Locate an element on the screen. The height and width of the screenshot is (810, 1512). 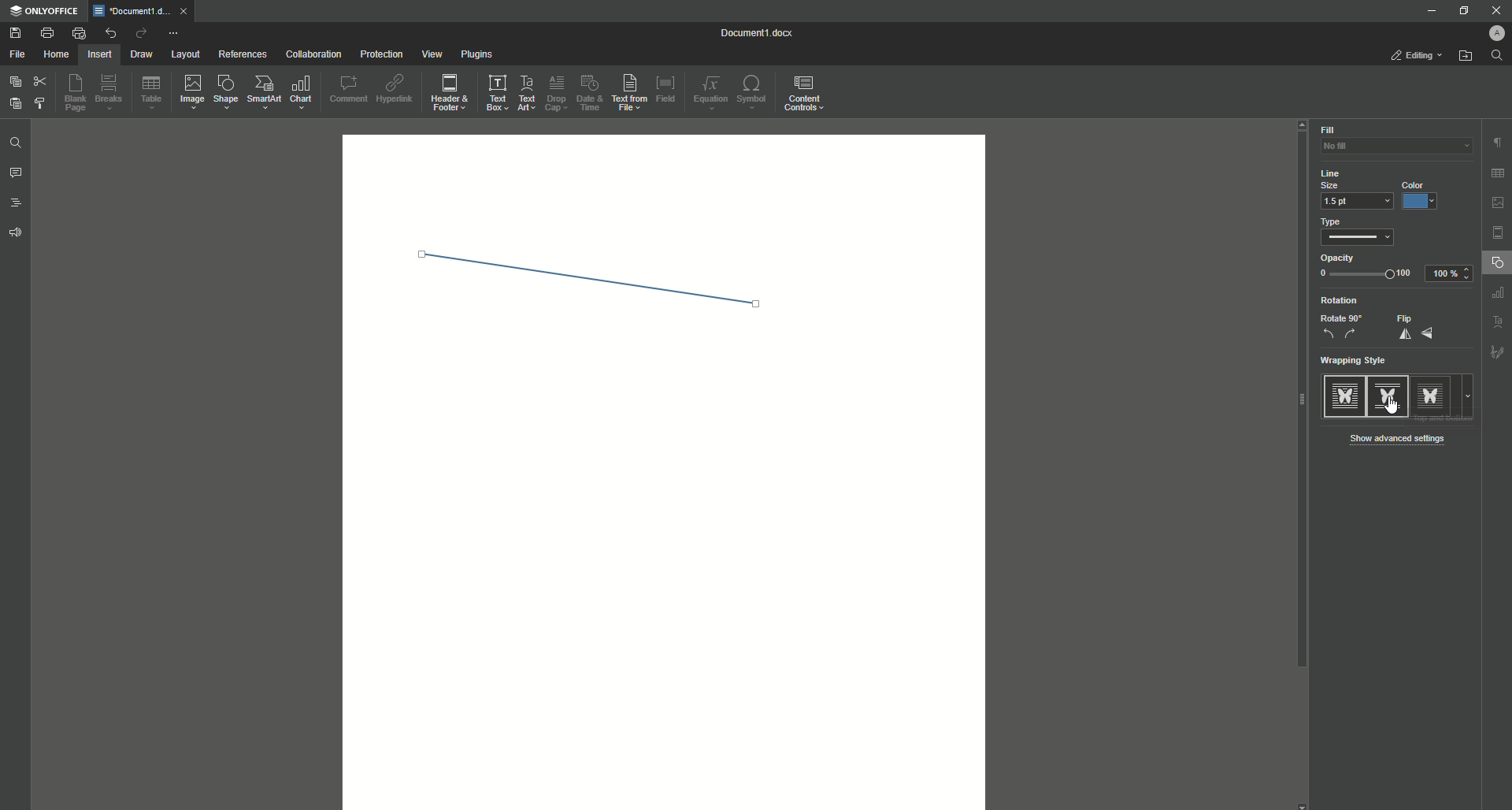
Image is located at coordinates (194, 94).